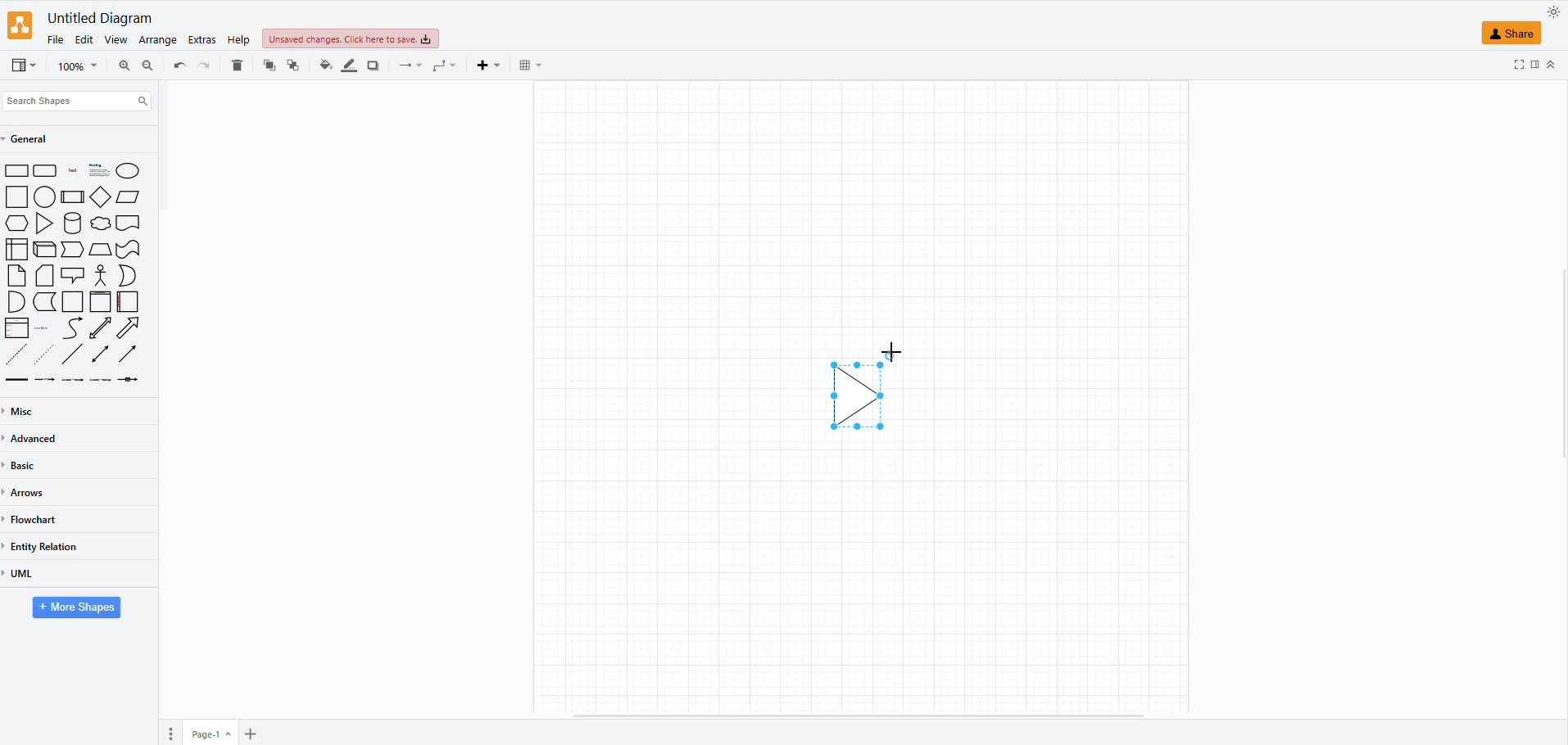 Image resolution: width=1568 pixels, height=745 pixels. What do you see at coordinates (70, 69) in the screenshot?
I see `magnifier` at bounding box center [70, 69].